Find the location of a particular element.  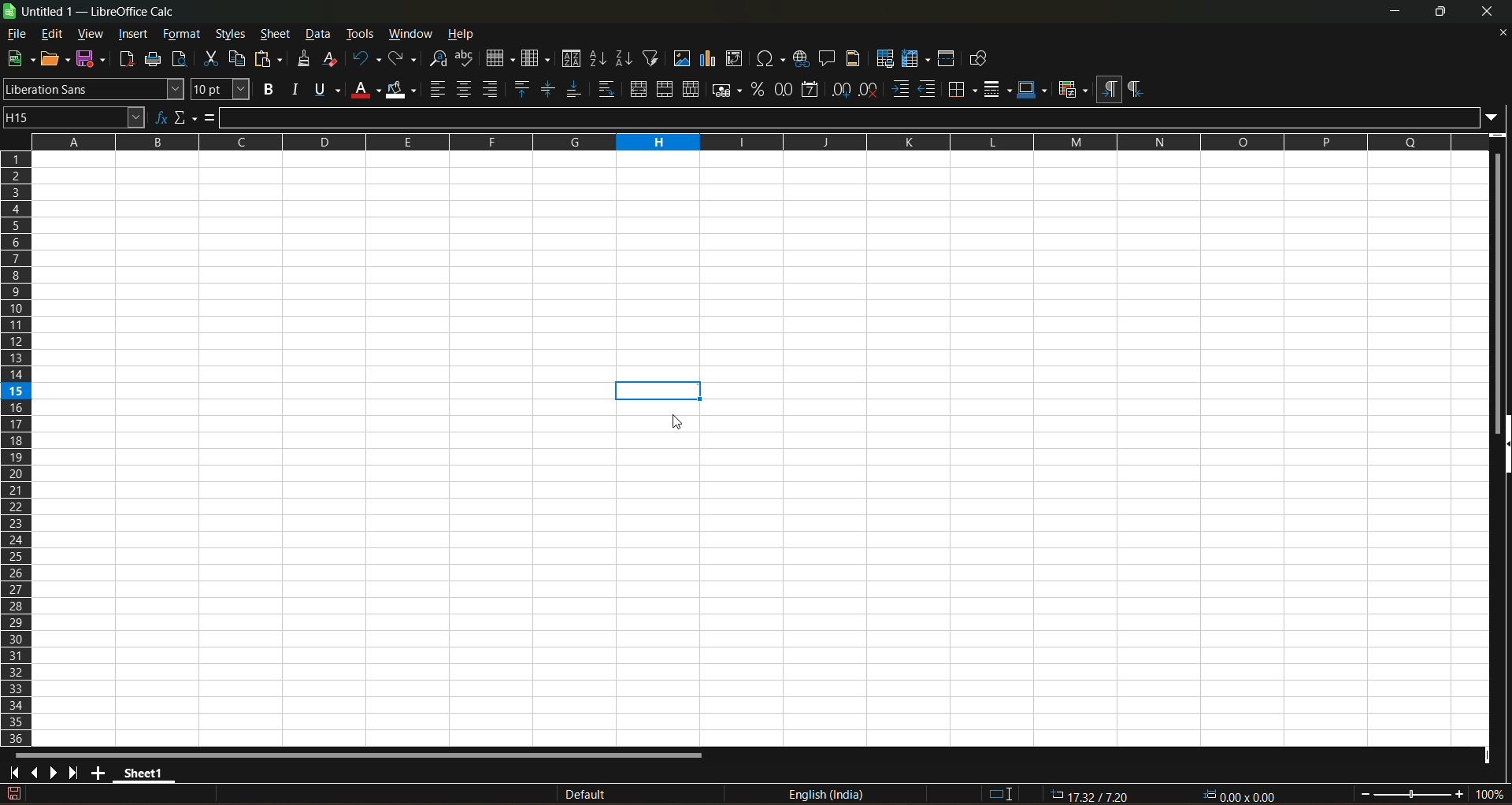

hide is located at coordinates (1503, 445).